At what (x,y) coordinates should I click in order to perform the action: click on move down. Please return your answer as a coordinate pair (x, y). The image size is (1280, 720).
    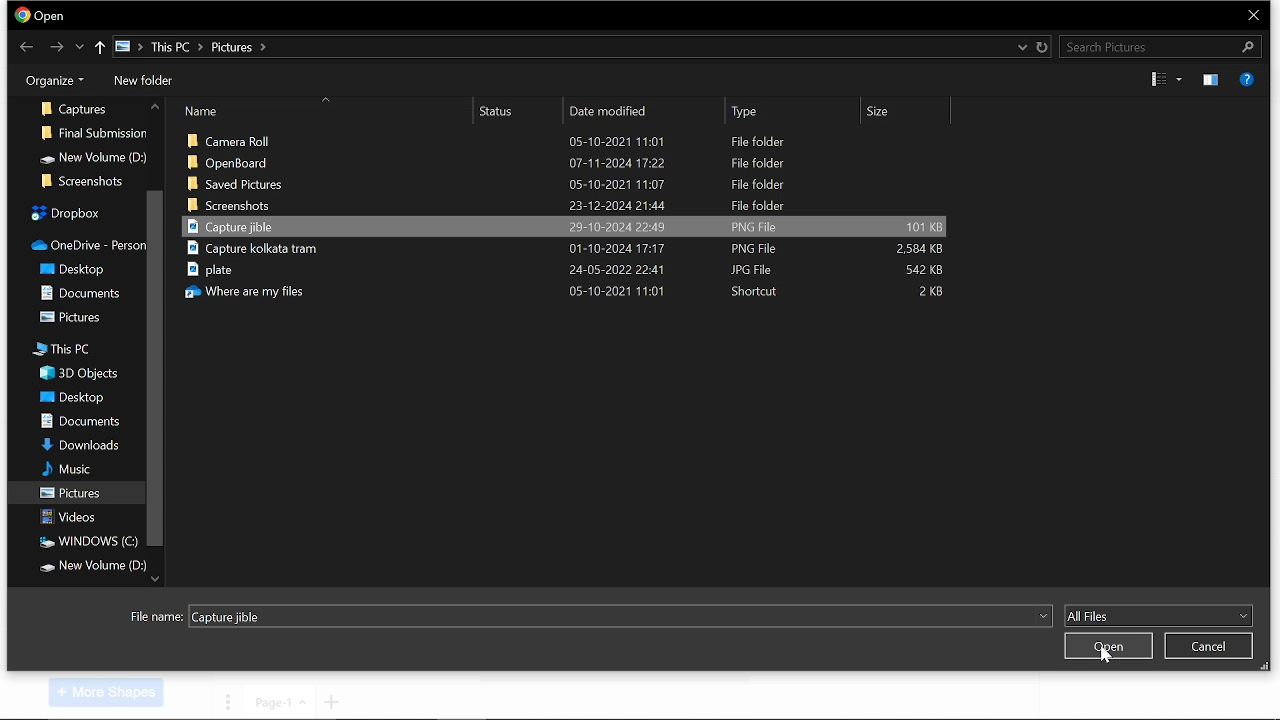
    Looking at the image, I should click on (155, 578).